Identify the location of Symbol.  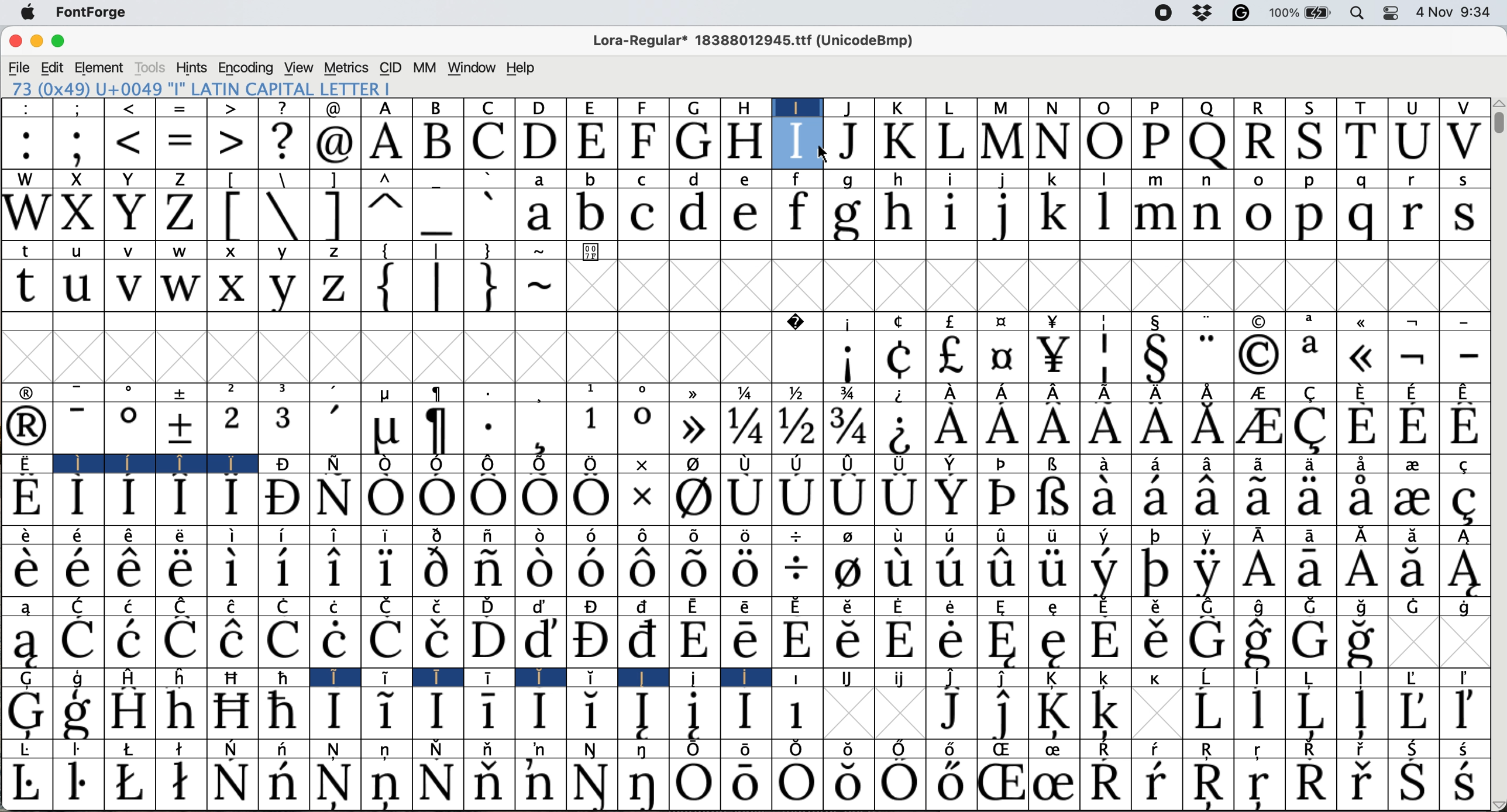
(540, 605).